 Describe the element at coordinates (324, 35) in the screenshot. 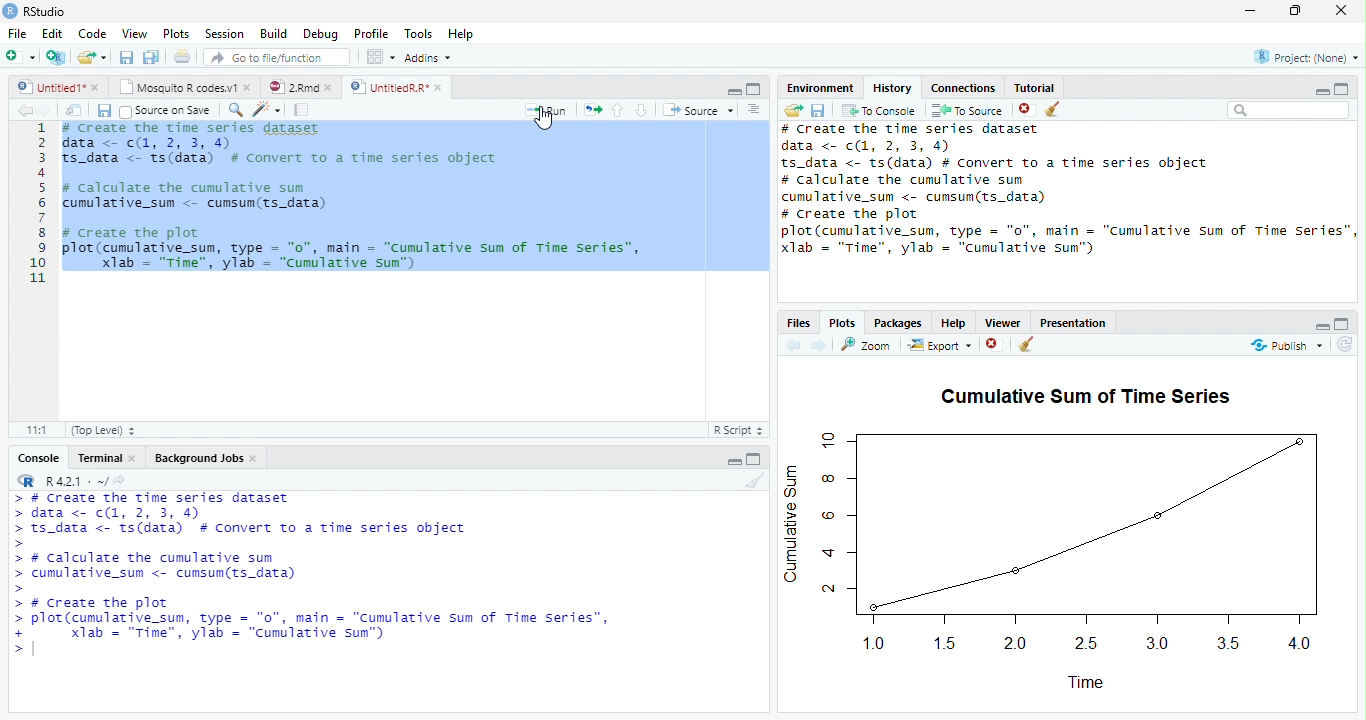

I see `Debug` at that location.